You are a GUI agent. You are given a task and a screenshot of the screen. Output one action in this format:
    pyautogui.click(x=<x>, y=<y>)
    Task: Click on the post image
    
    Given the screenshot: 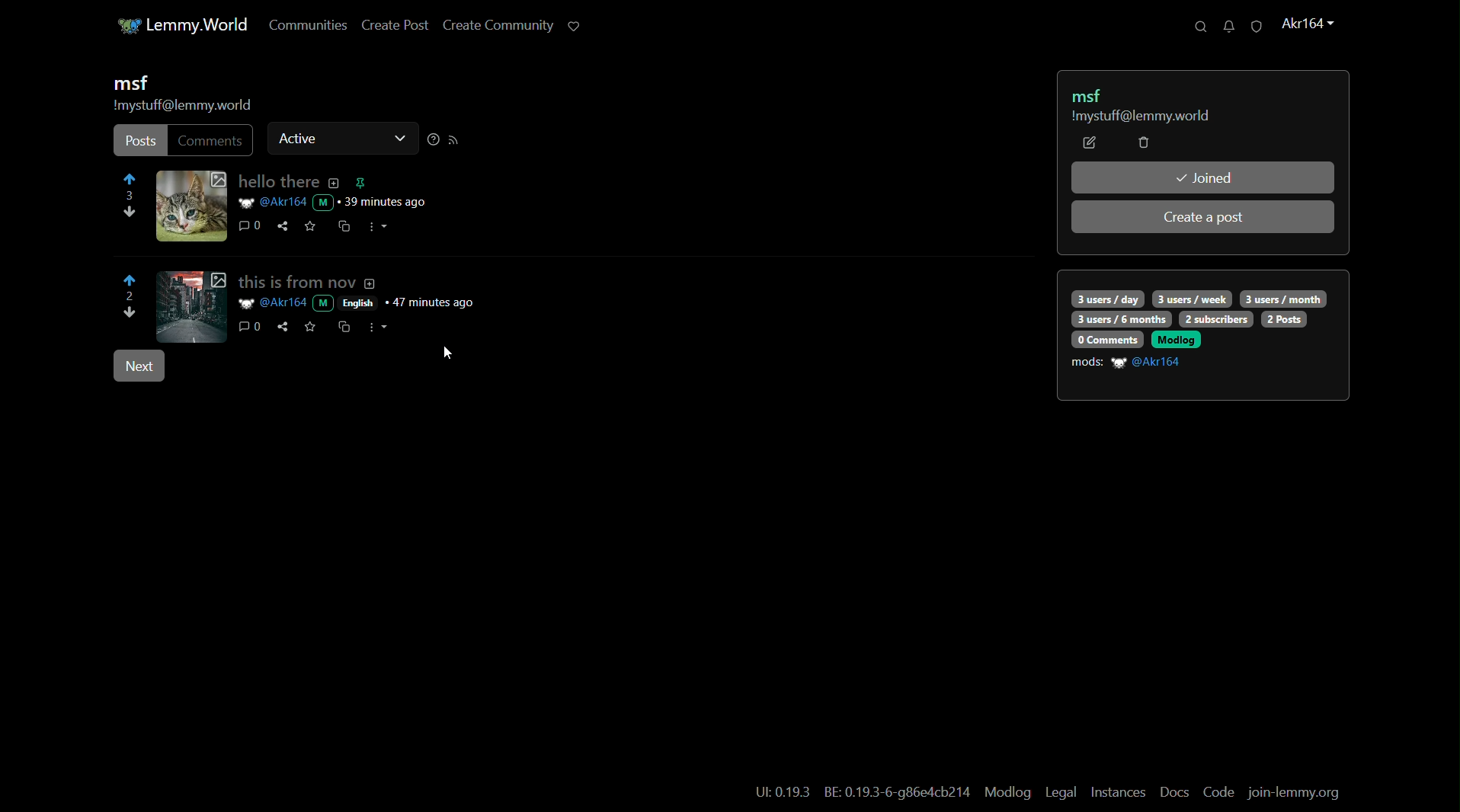 What is the action you would take?
    pyautogui.click(x=191, y=206)
    